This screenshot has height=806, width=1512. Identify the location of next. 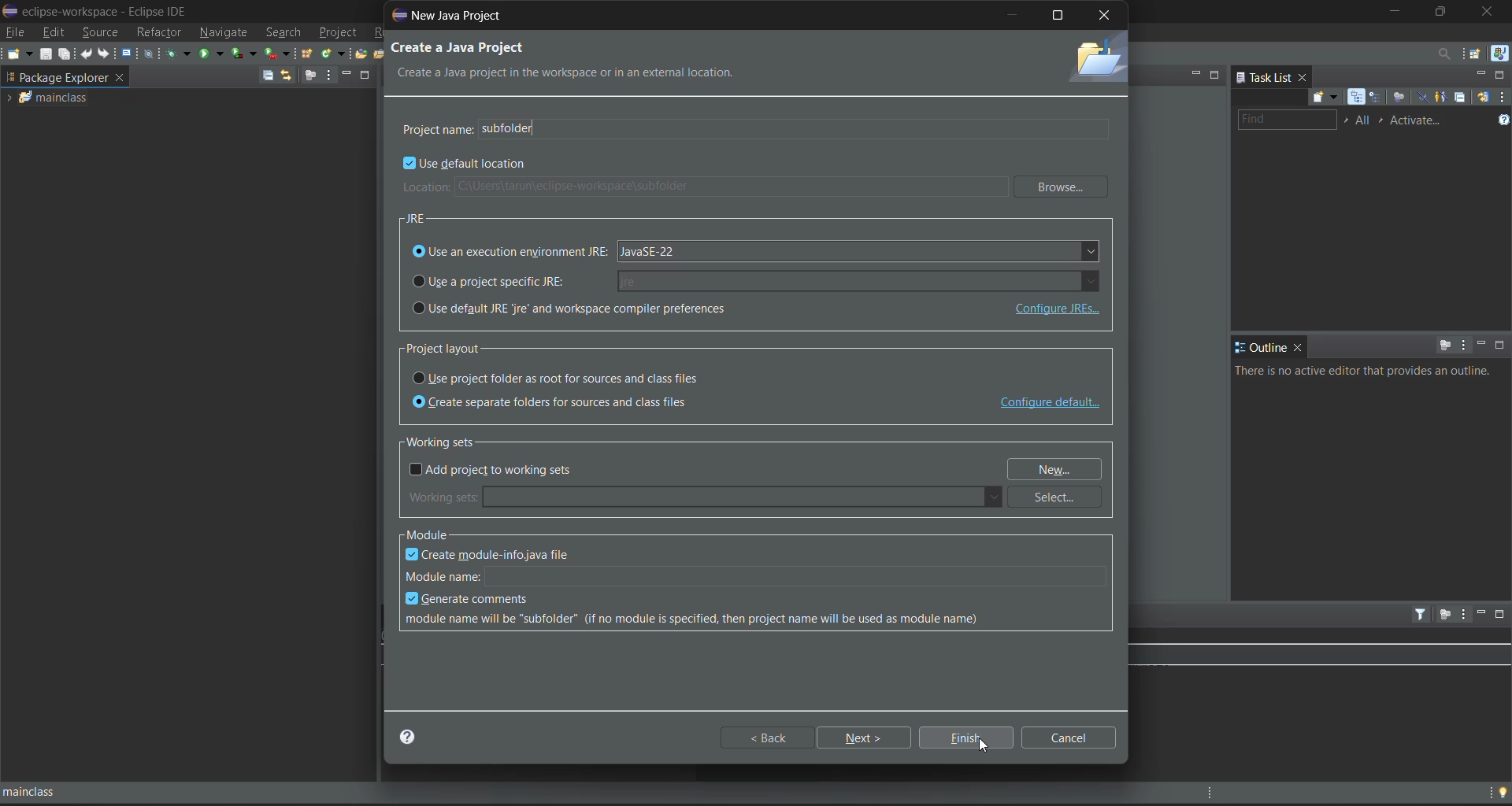
(867, 738).